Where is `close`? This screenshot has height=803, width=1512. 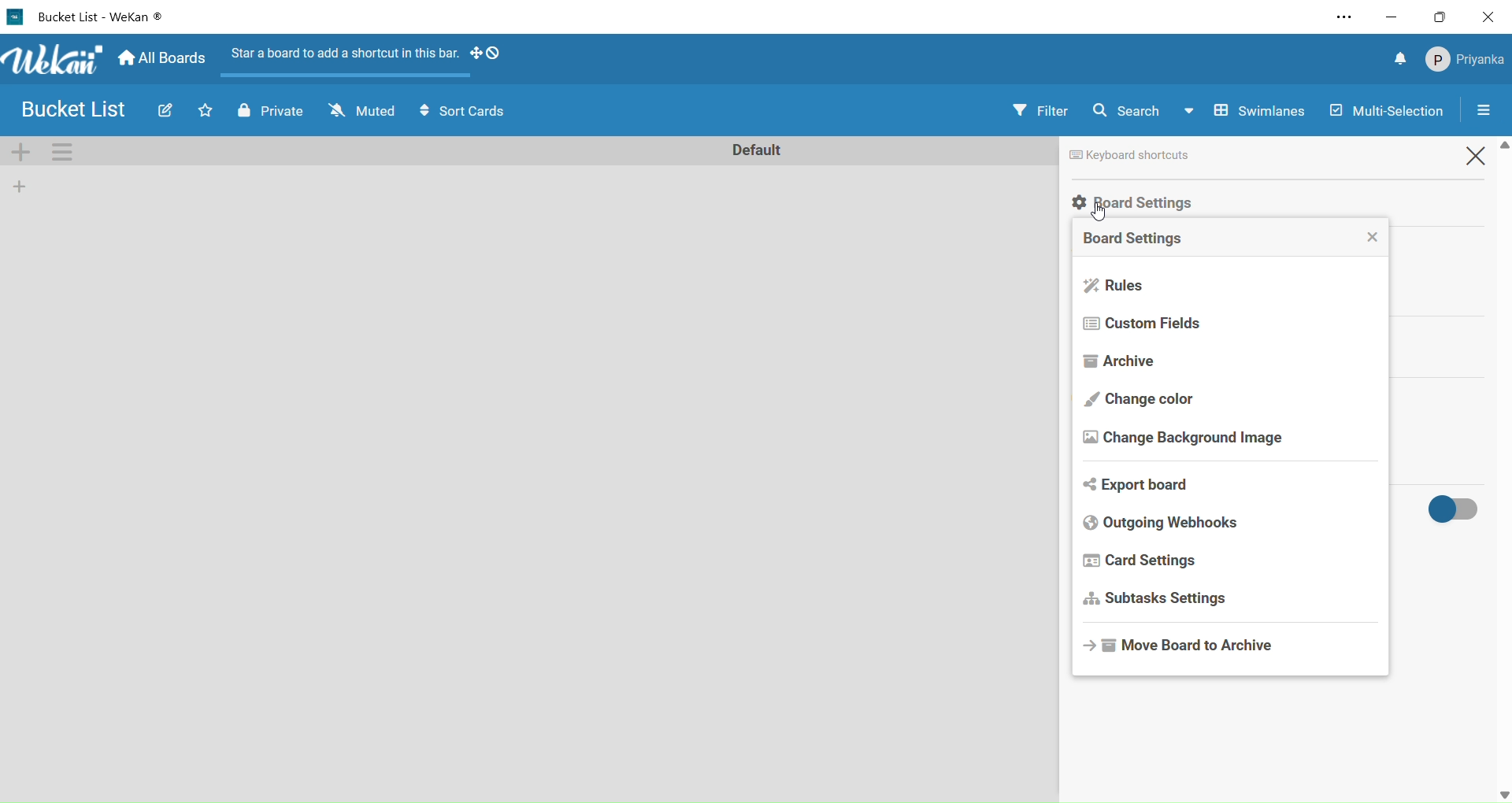 close is located at coordinates (1479, 159).